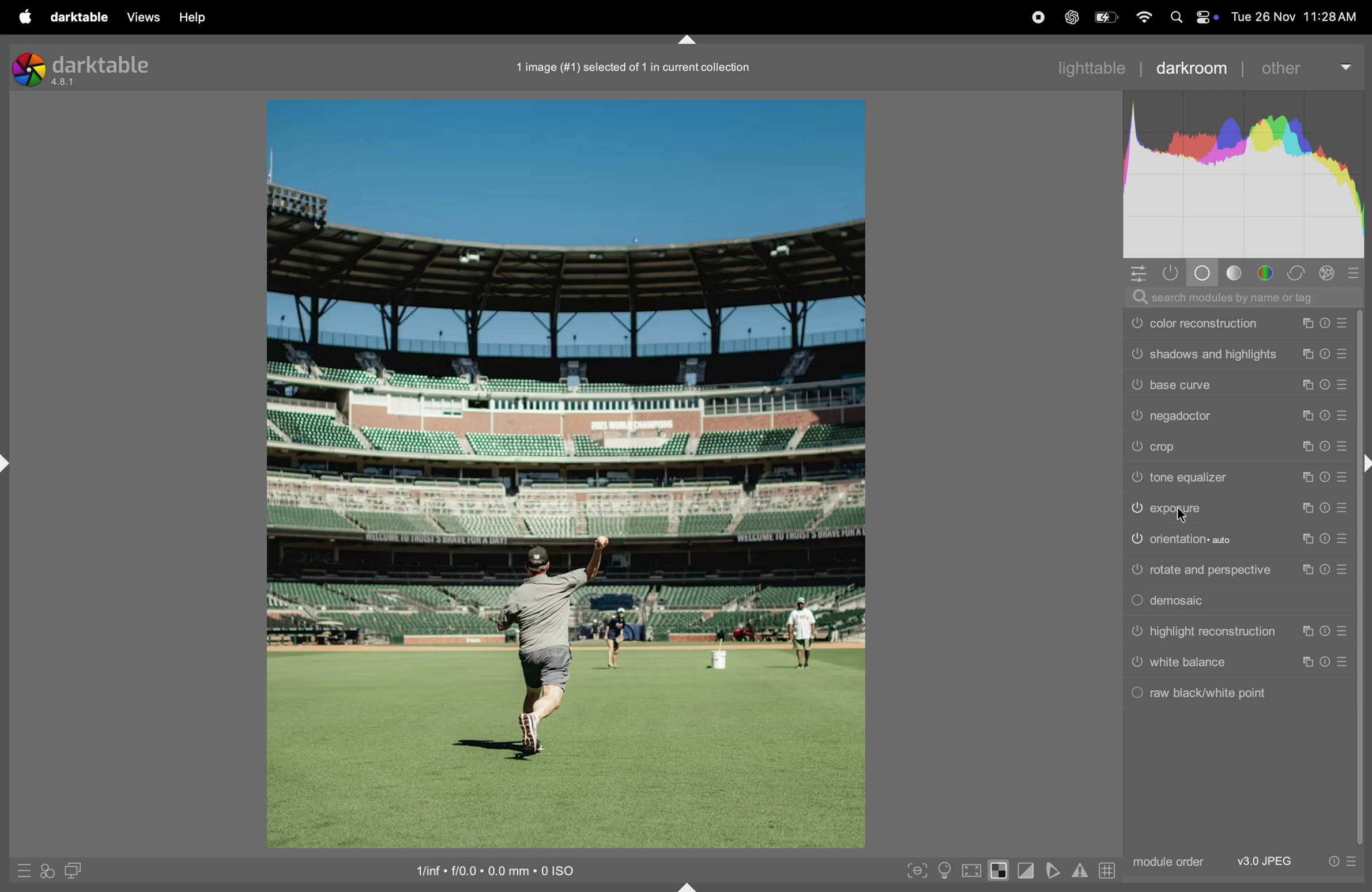 The width and height of the screenshot is (1372, 892). What do you see at coordinates (1298, 68) in the screenshot?
I see `other` at bounding box center [1298, 68].